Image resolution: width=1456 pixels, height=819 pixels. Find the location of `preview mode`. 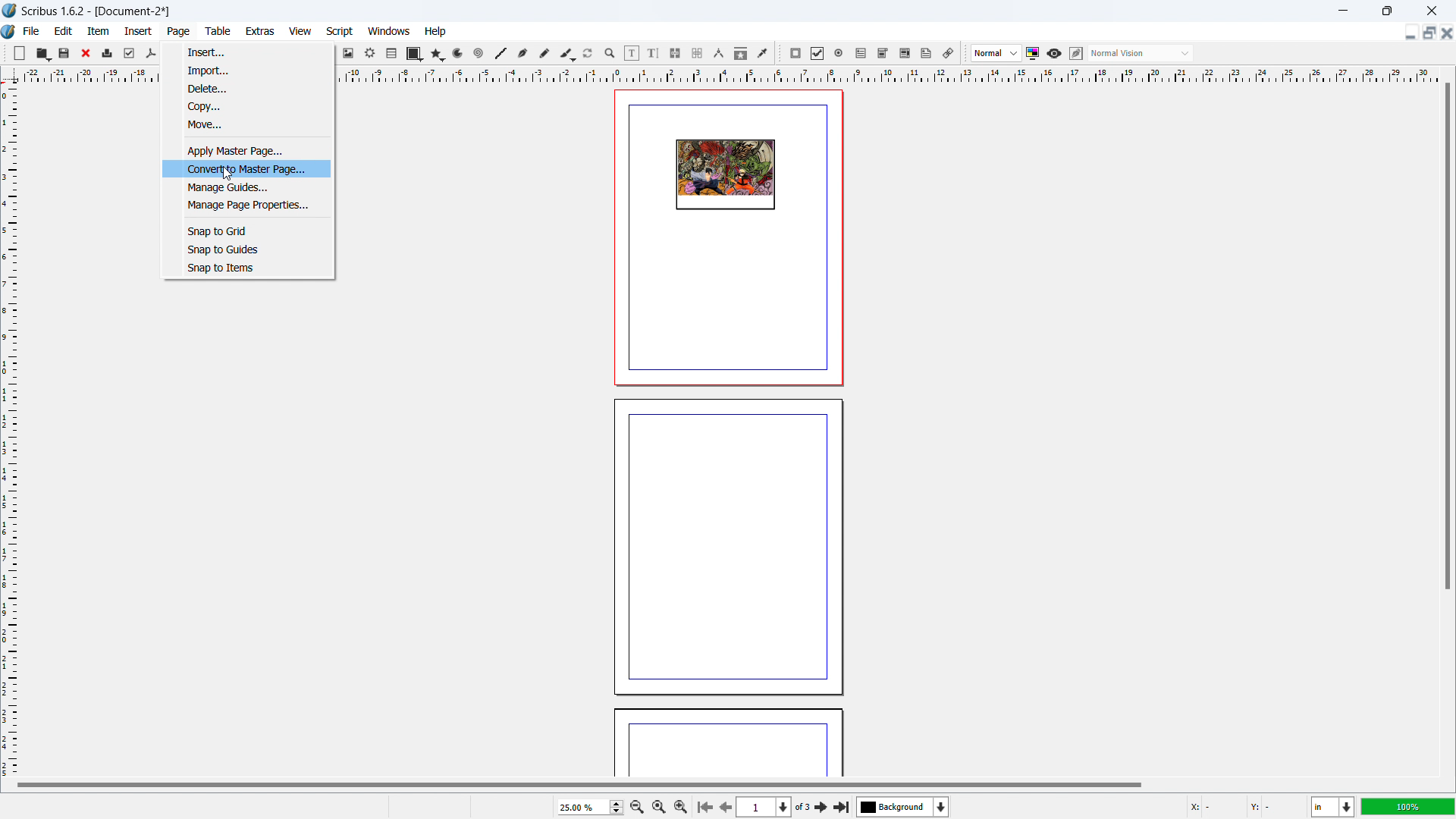

preview mode is located at coordinates (1054, 54).